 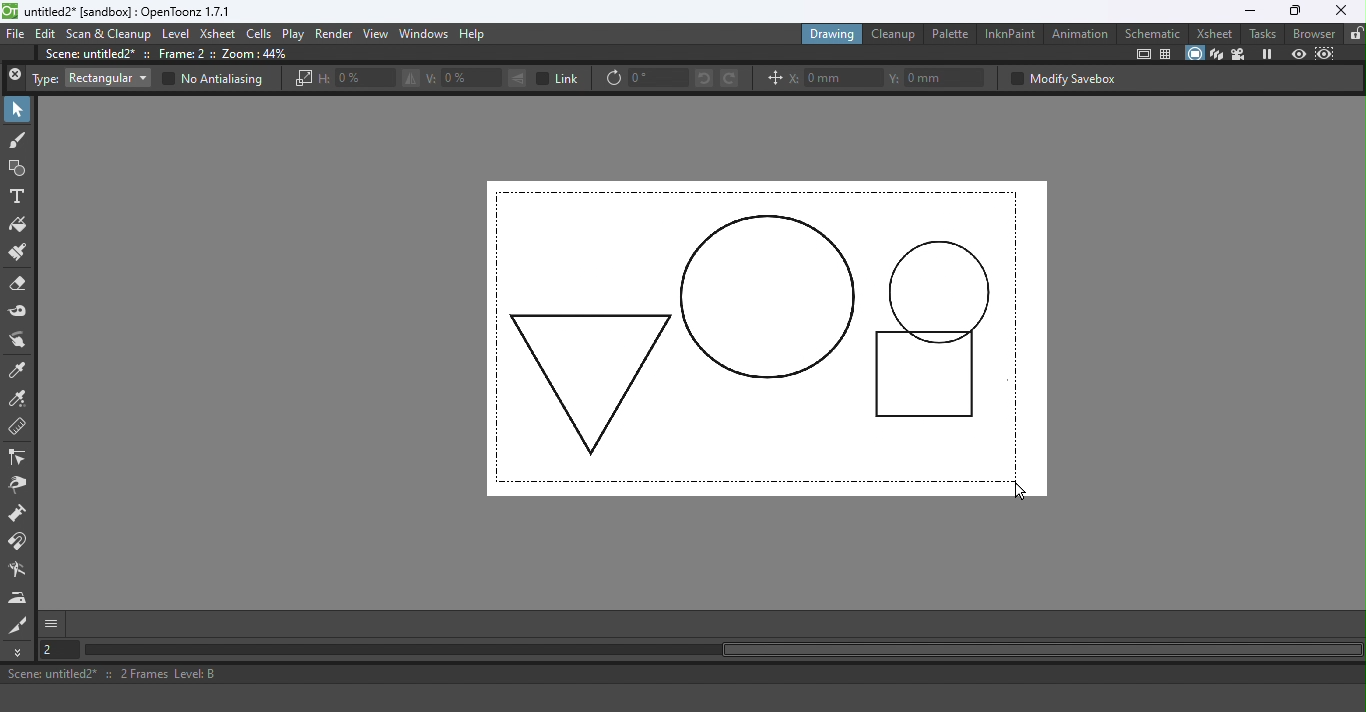 What do you see at coordinates (1262, 33) in the screenshot?
I see `Tasks` at bounding box center [1262, 33].